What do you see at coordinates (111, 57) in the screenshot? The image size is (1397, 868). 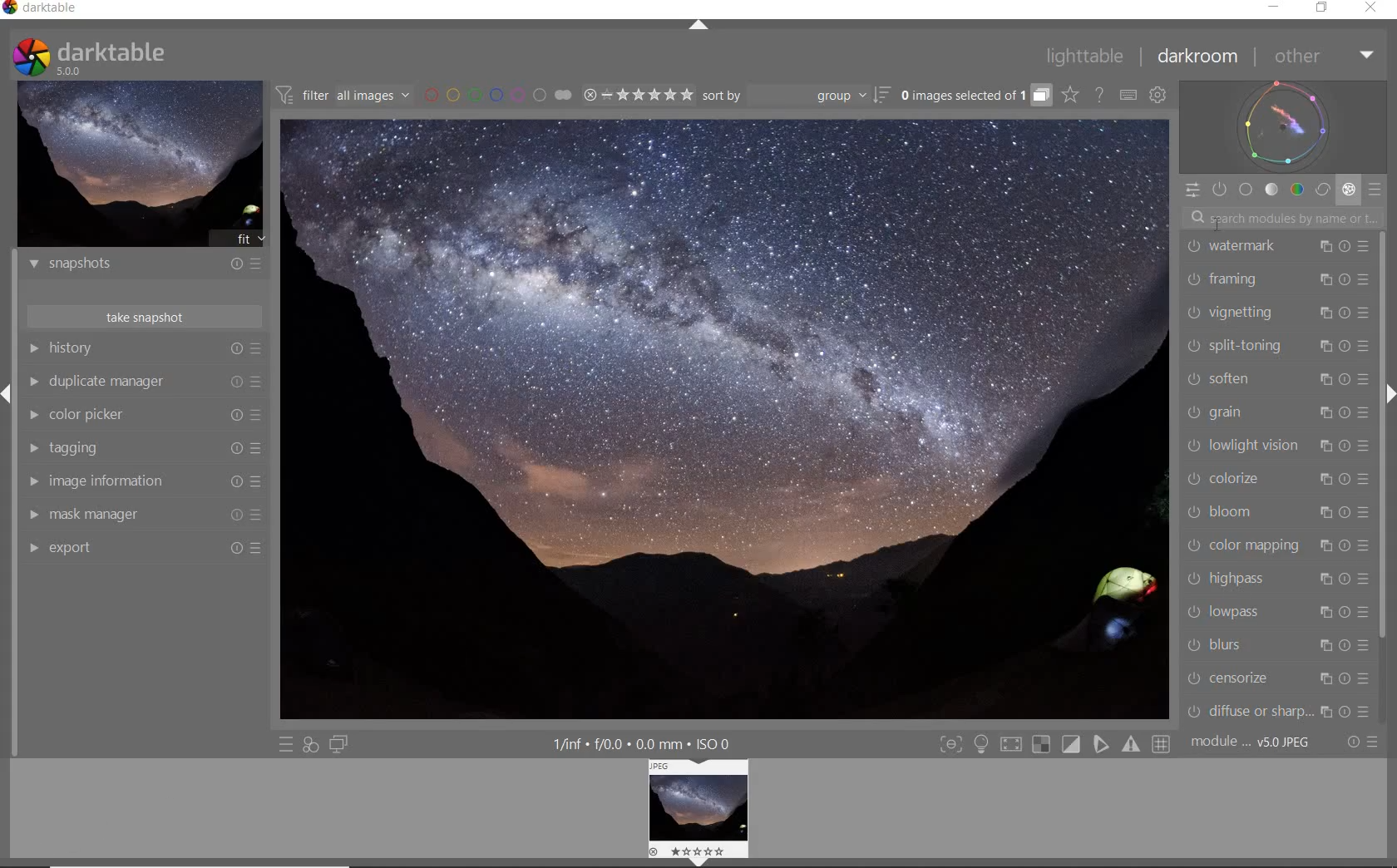 I see `darktable 5.0.0` at bounding box center [111, 57].